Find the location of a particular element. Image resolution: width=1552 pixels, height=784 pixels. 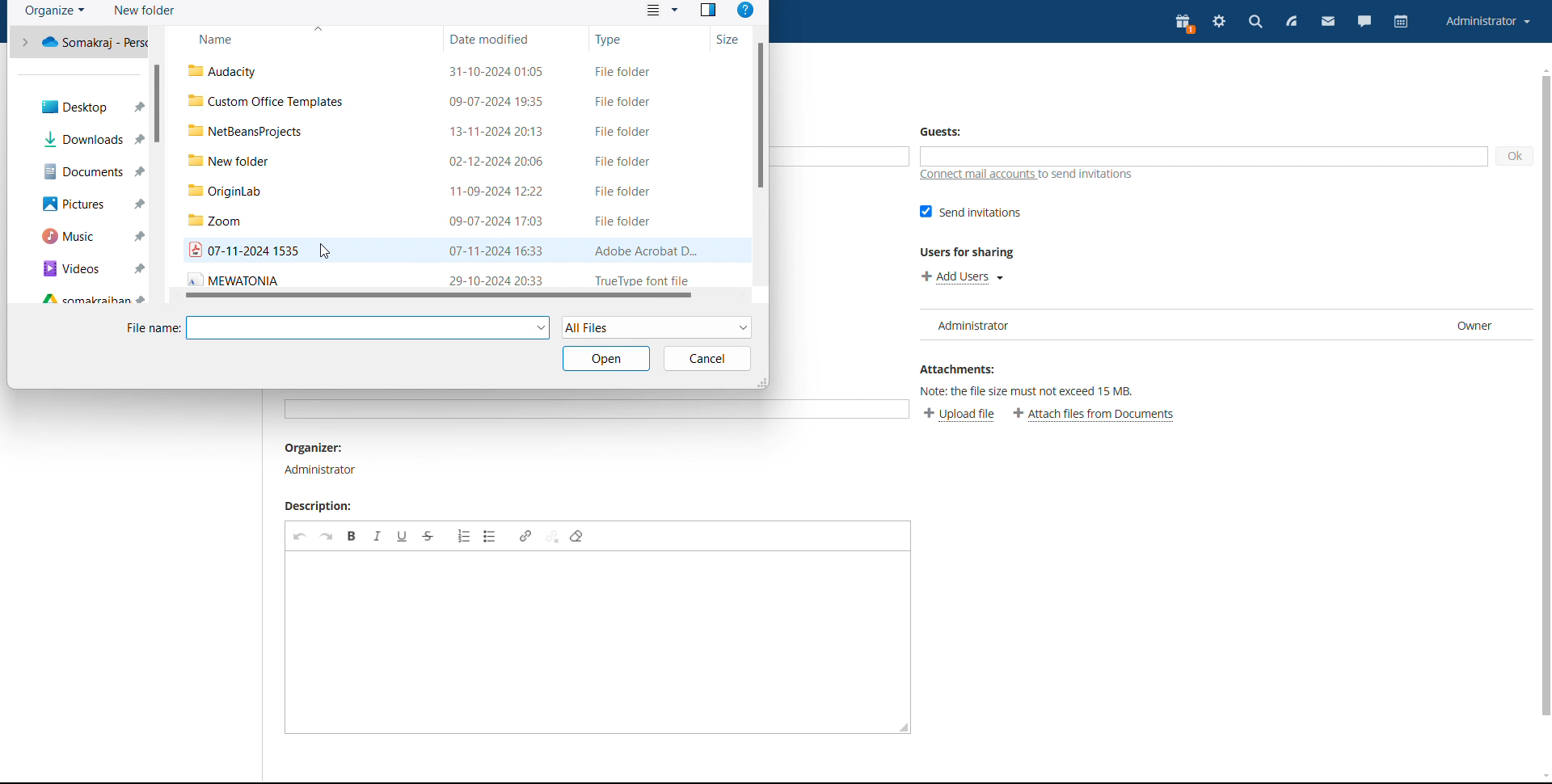

connect mail accounts is located at coordinates (1030, 175).